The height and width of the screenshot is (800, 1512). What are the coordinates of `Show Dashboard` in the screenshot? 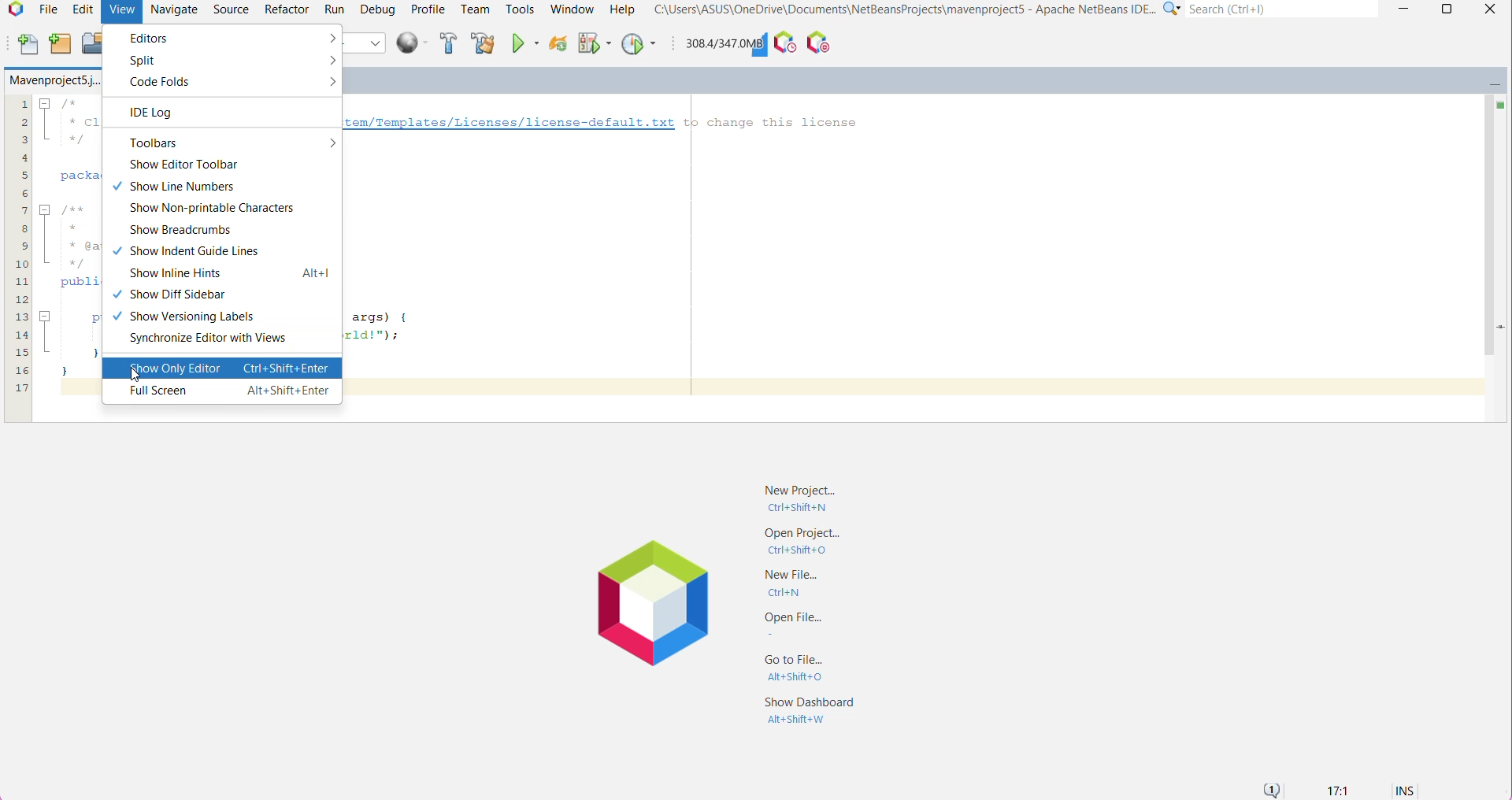 It's located at (810, 710).